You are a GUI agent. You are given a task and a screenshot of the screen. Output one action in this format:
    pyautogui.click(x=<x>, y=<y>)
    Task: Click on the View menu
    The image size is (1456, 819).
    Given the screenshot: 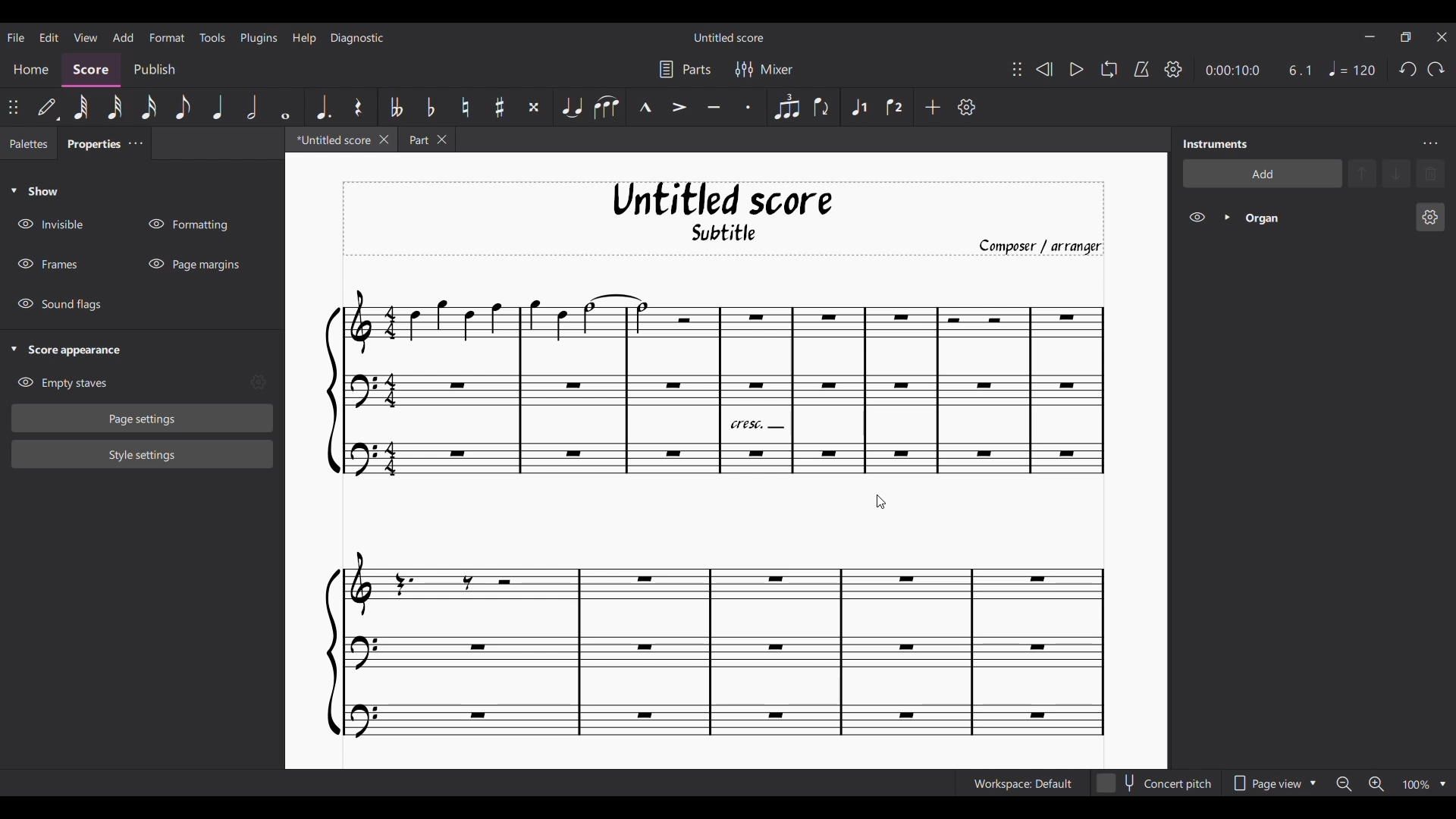 What is the action you would take?
    pyautogui.click(x=86, y=37)
    